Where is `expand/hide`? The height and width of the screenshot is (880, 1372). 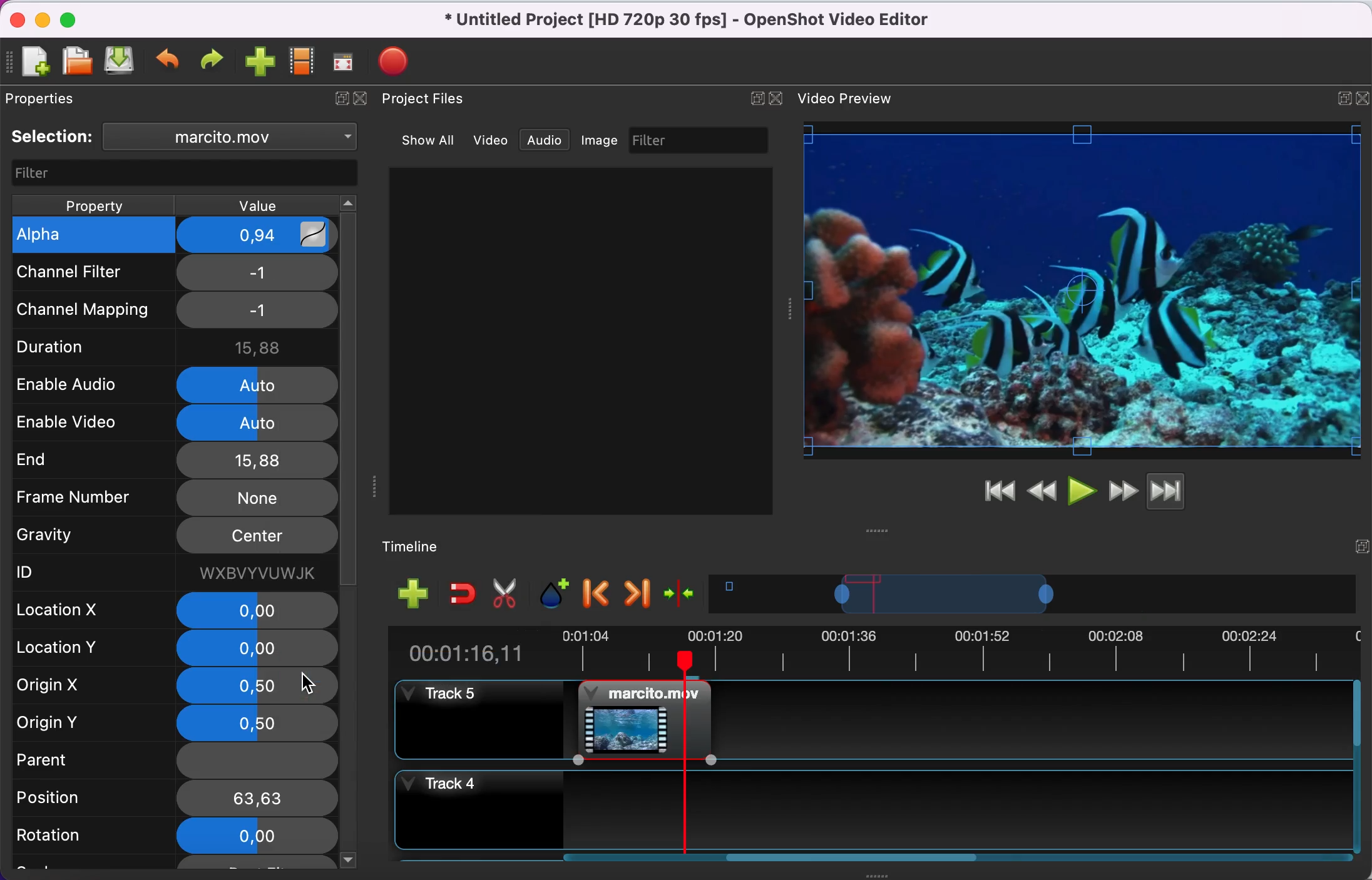 expand/hide is located at coordinates (756, 98).